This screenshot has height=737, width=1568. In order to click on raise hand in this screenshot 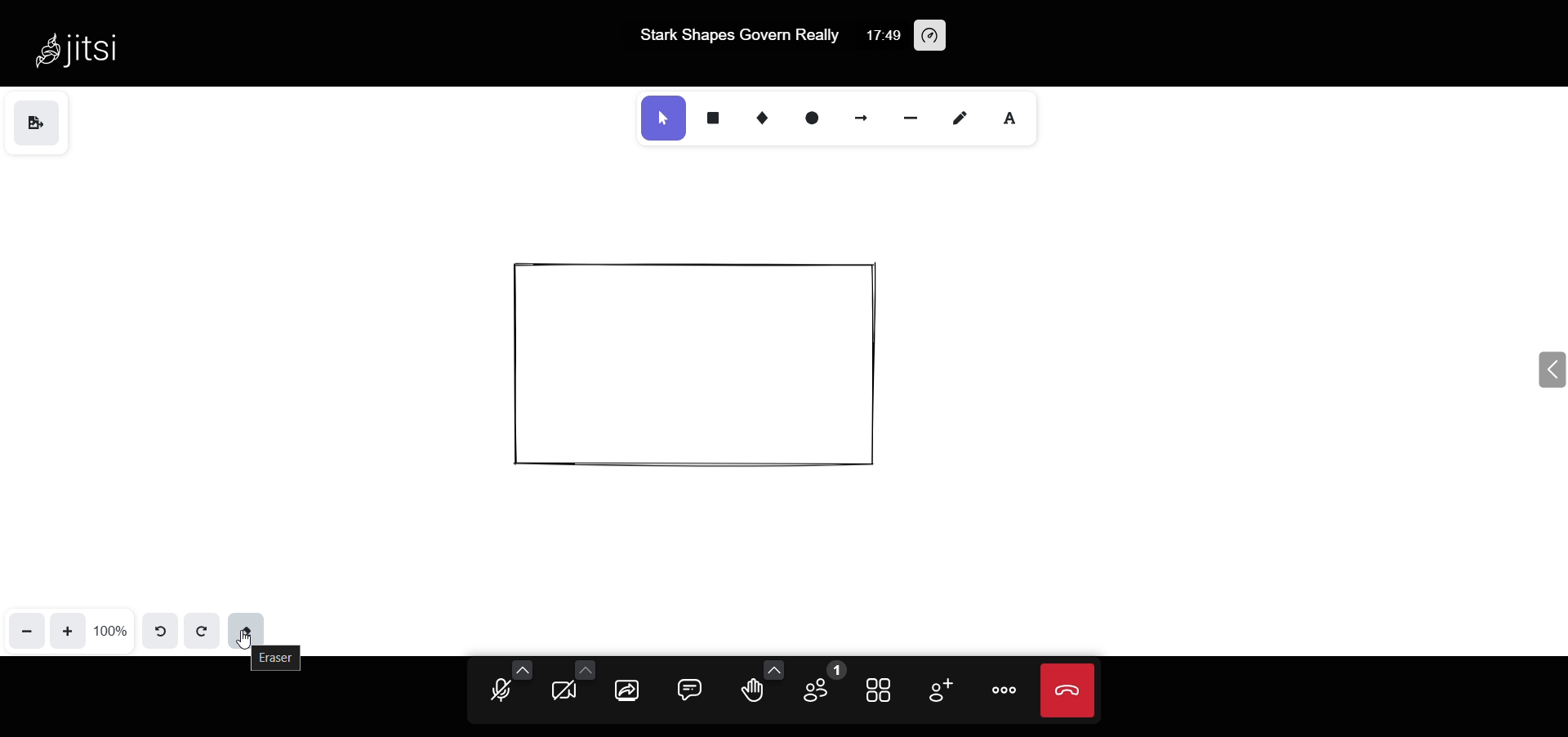, I will do `click(750, 694)`.